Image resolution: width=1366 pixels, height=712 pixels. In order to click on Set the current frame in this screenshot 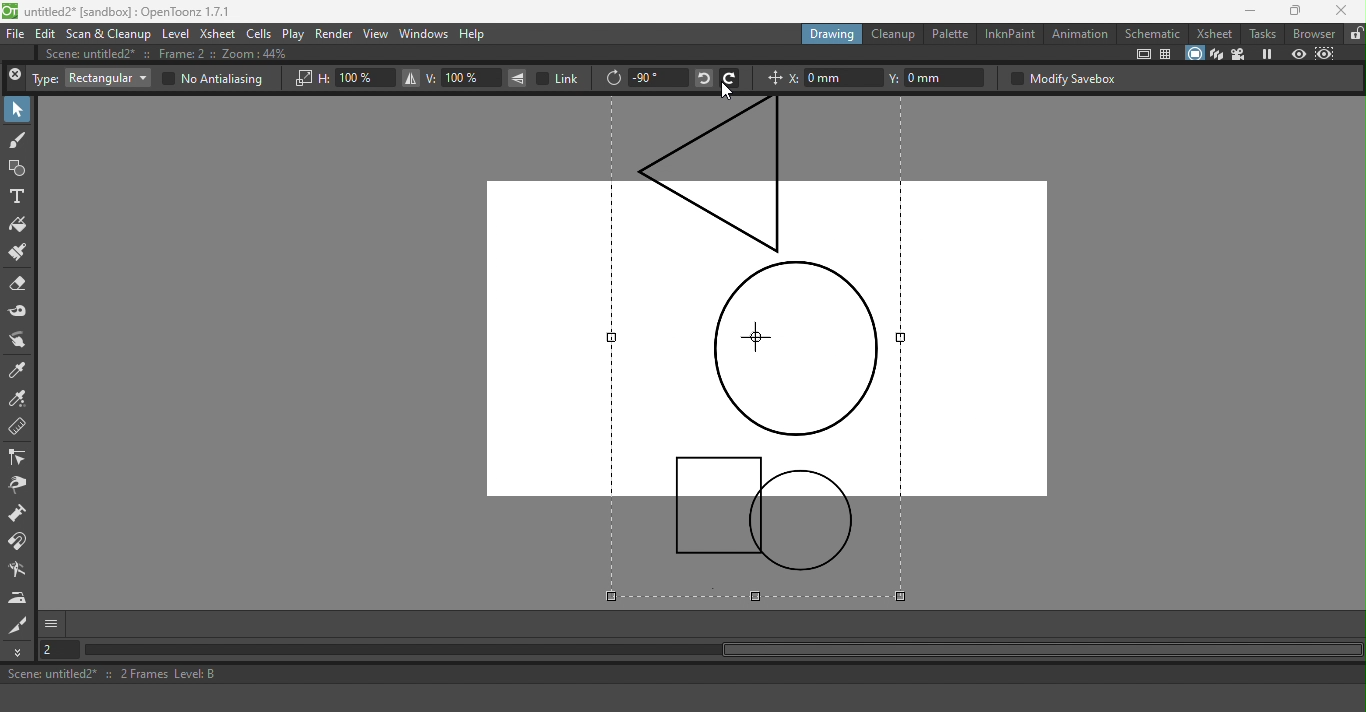, I will do `click(62, 651)`.